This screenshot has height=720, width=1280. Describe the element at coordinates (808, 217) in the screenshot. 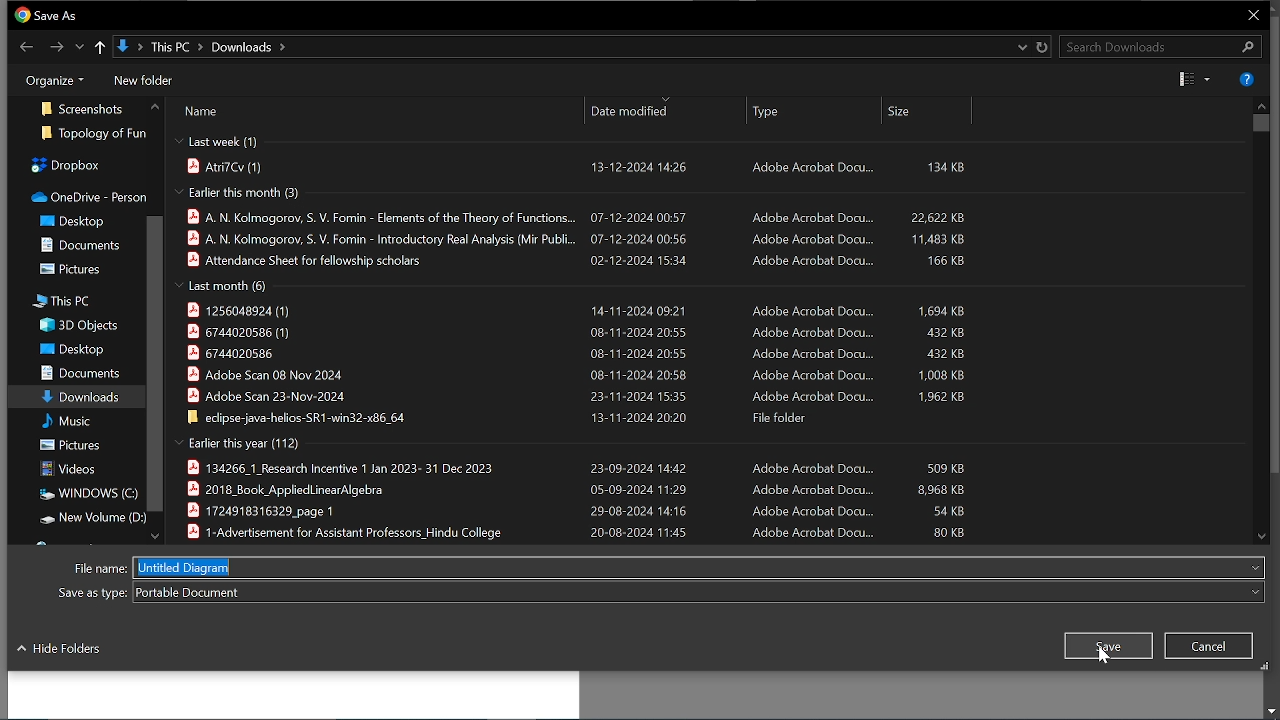

I see `‘Adobe Acrobat Docu...` at that location.